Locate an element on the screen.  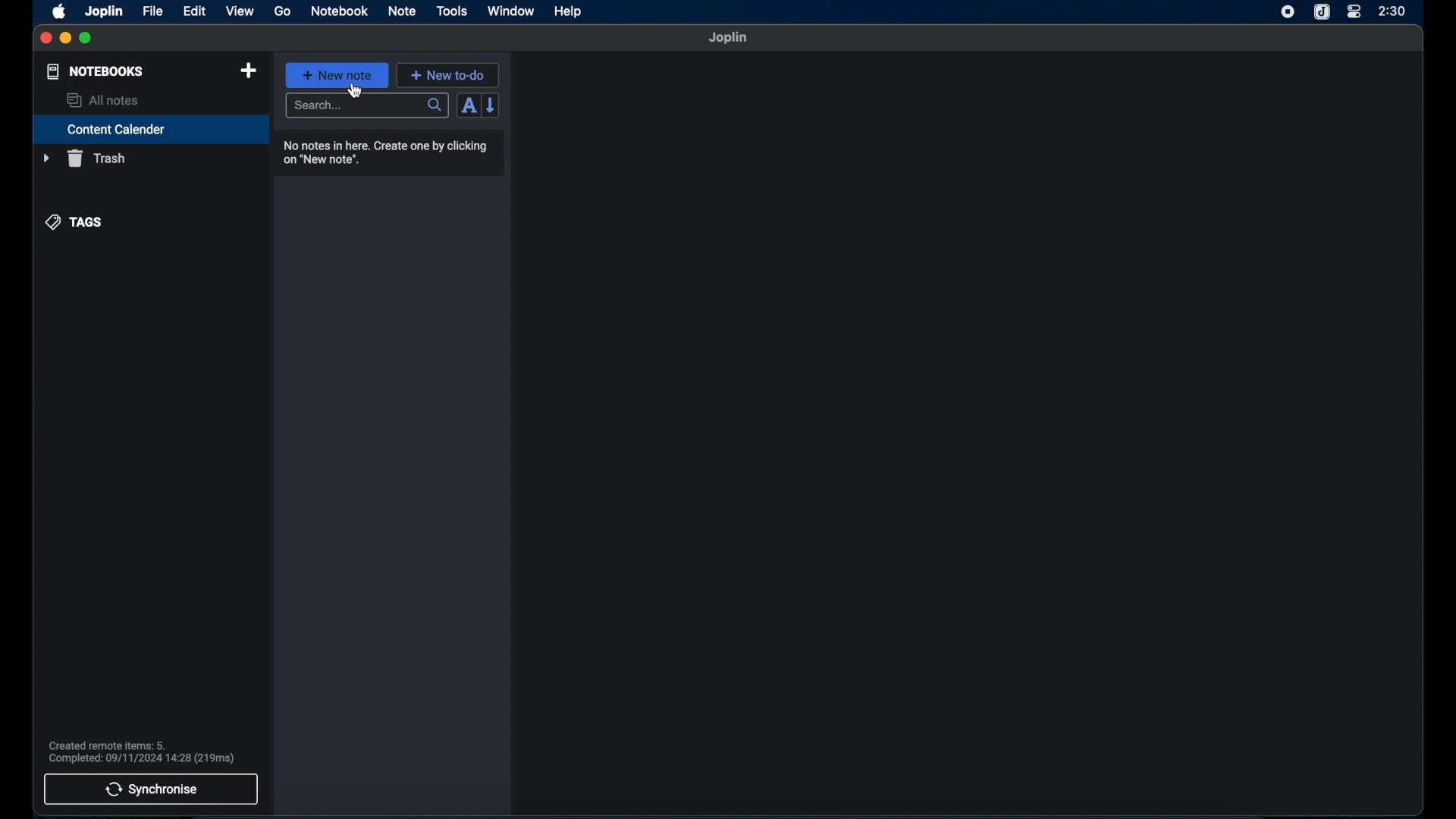
file is located at coordinates (154, 11).